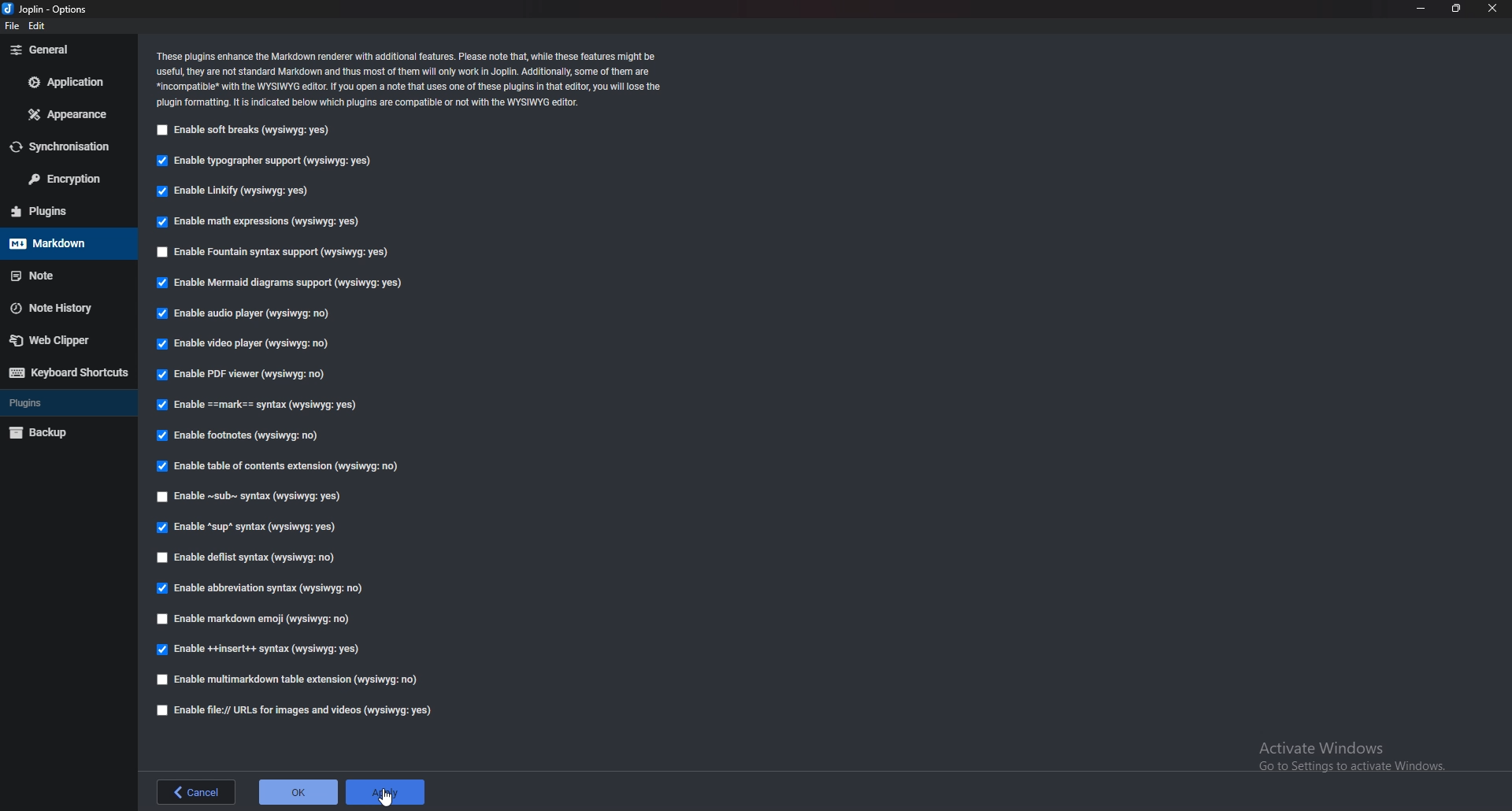 Image resolution: width=1512 pixels, height=811 pixels. I want to click on enable video player, so click(244, 346).